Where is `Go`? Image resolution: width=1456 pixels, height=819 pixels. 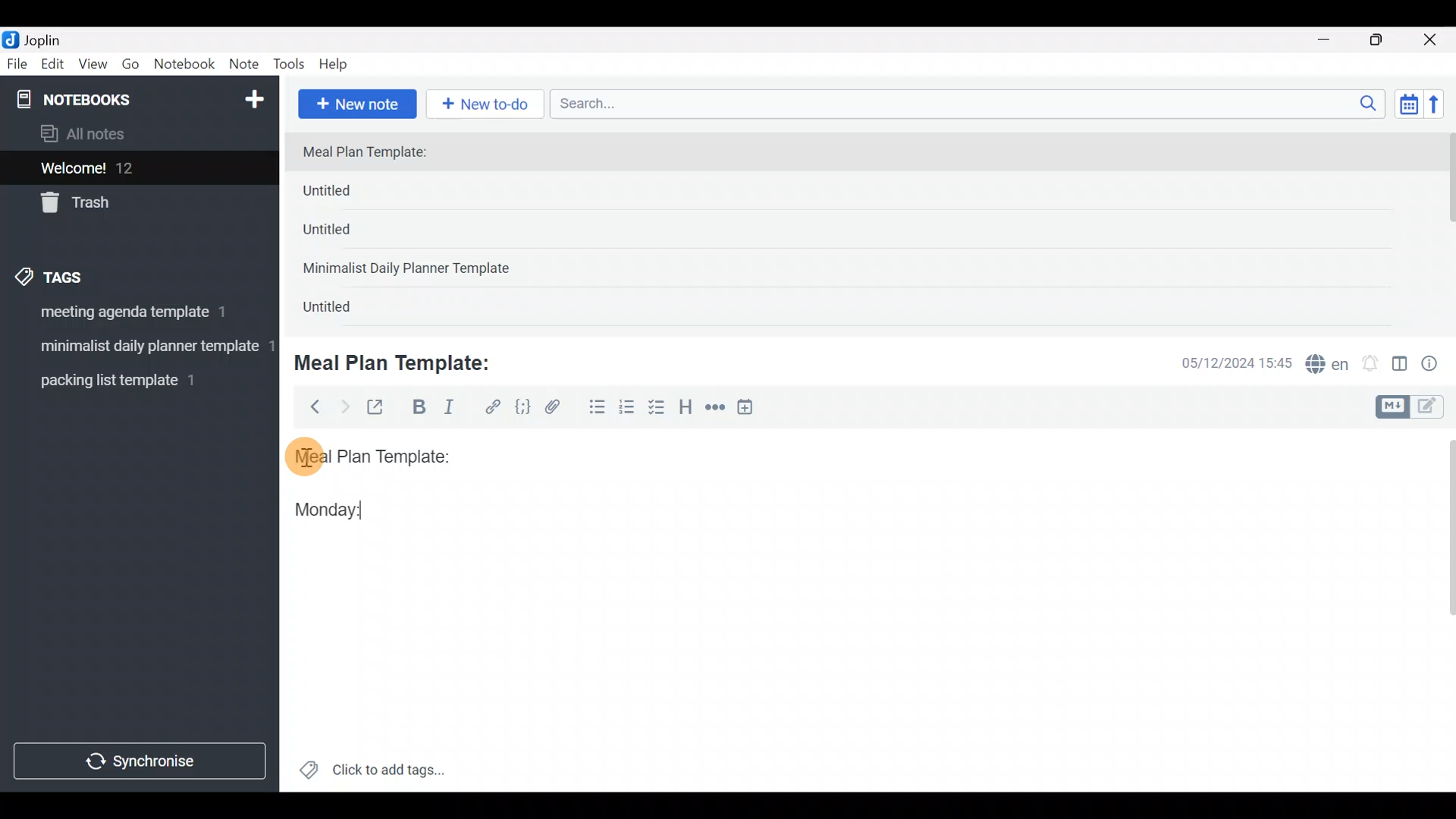 Go is located at coordinates (130, 67).